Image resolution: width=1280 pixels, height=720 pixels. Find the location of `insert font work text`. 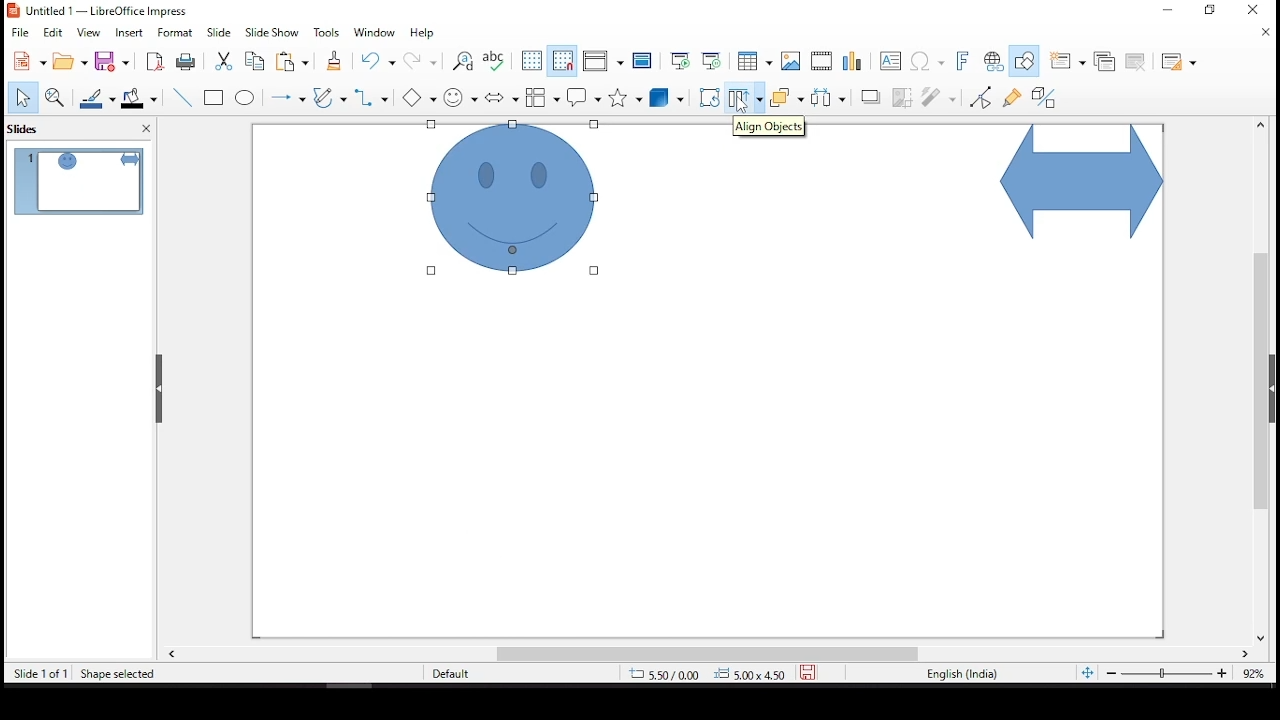

insert font work text is located at coordinates (963, 60).